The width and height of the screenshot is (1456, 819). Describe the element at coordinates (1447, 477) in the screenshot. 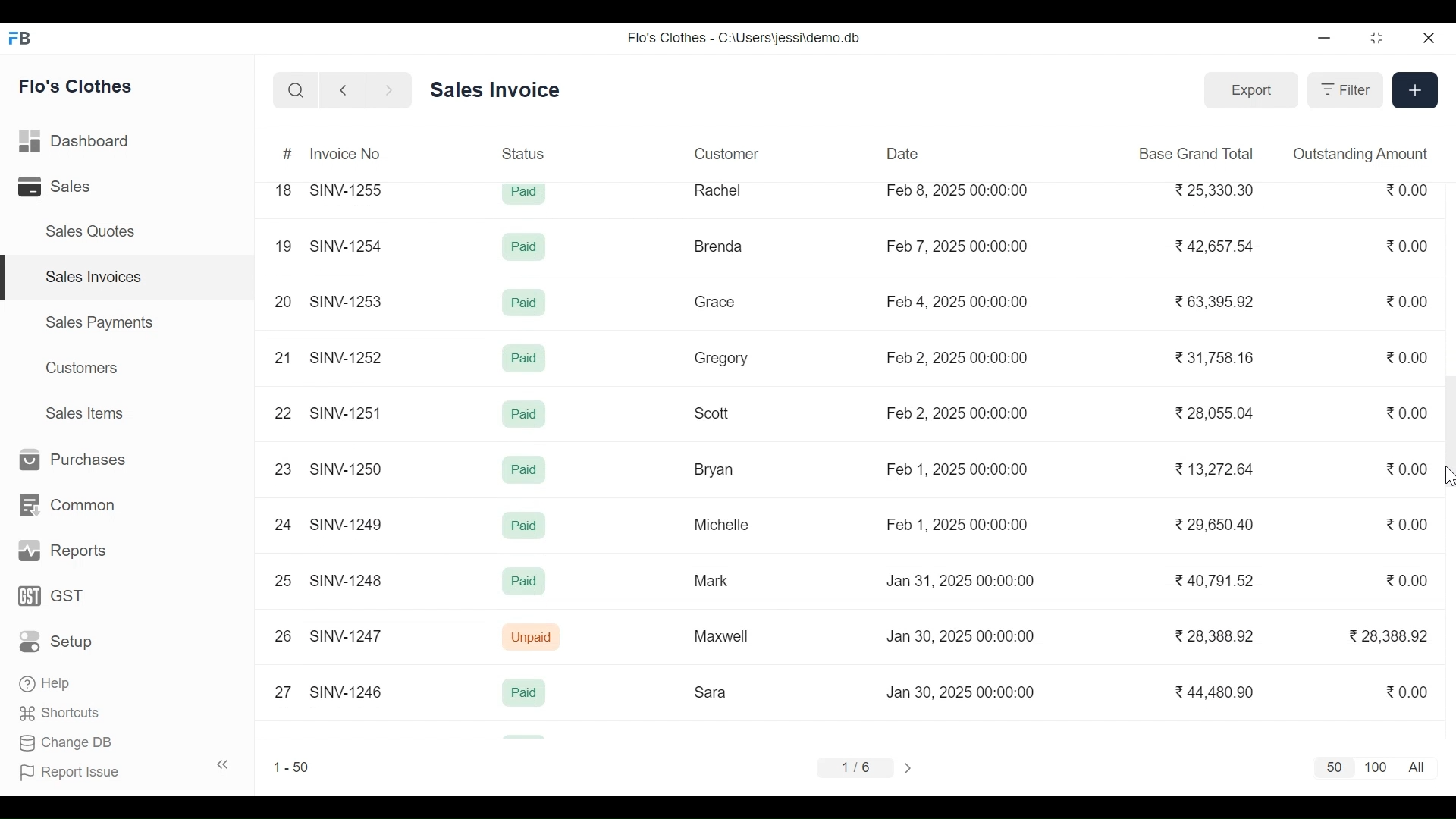

I see `Cursor` at that location.